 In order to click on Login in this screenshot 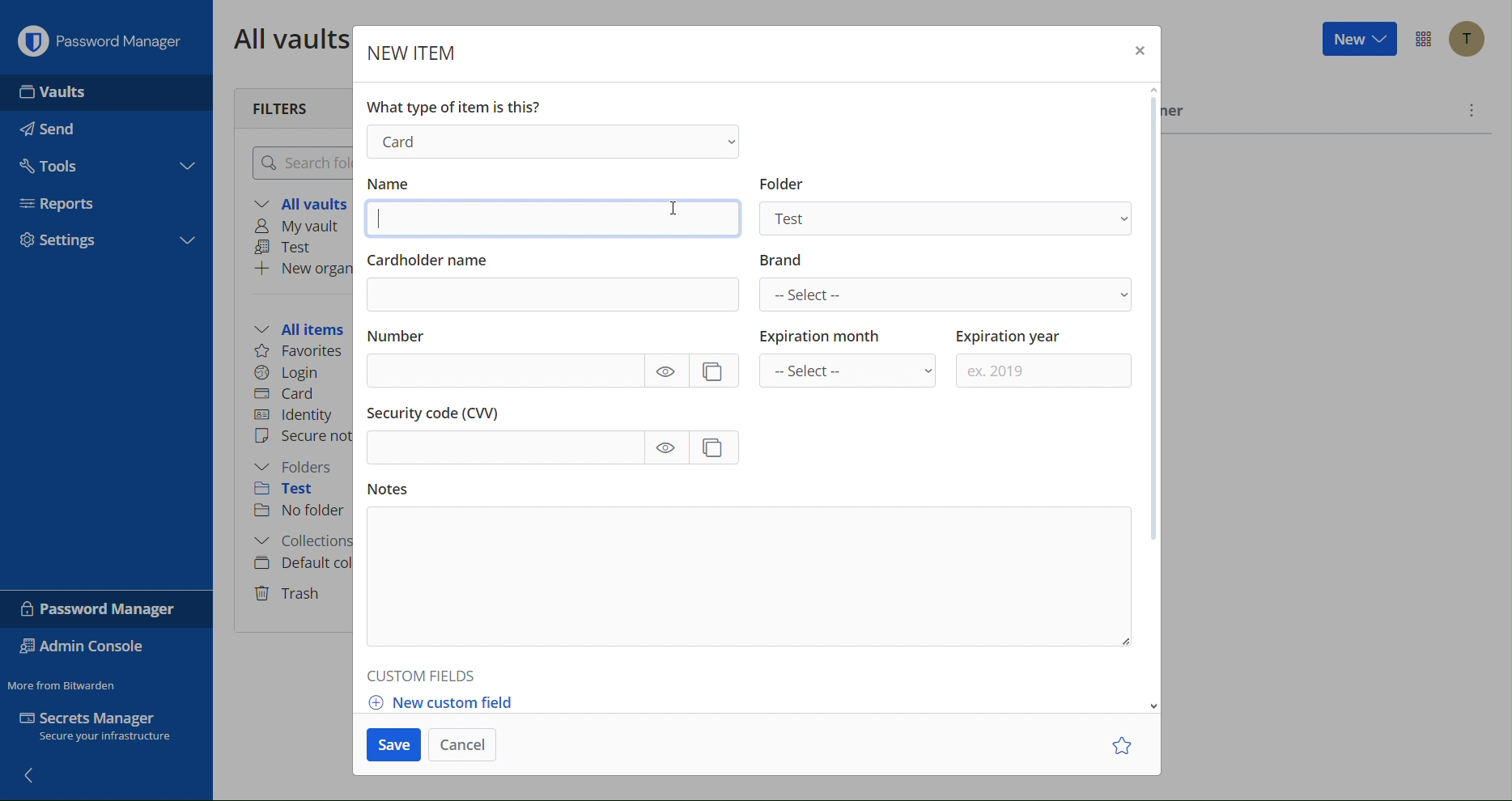, I will do `click(554, 142)`.